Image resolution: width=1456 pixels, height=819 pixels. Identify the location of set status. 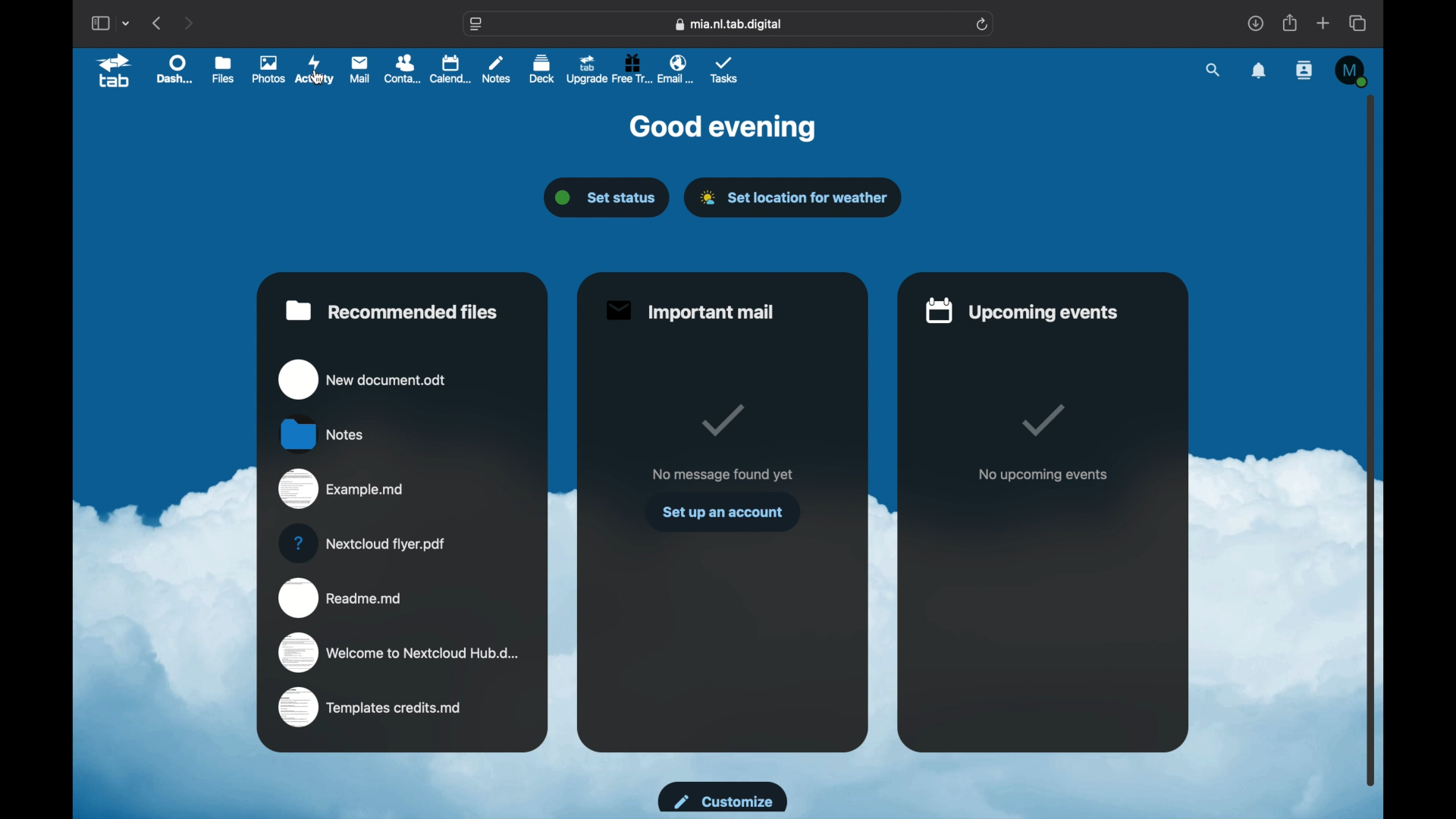
(606, 198).